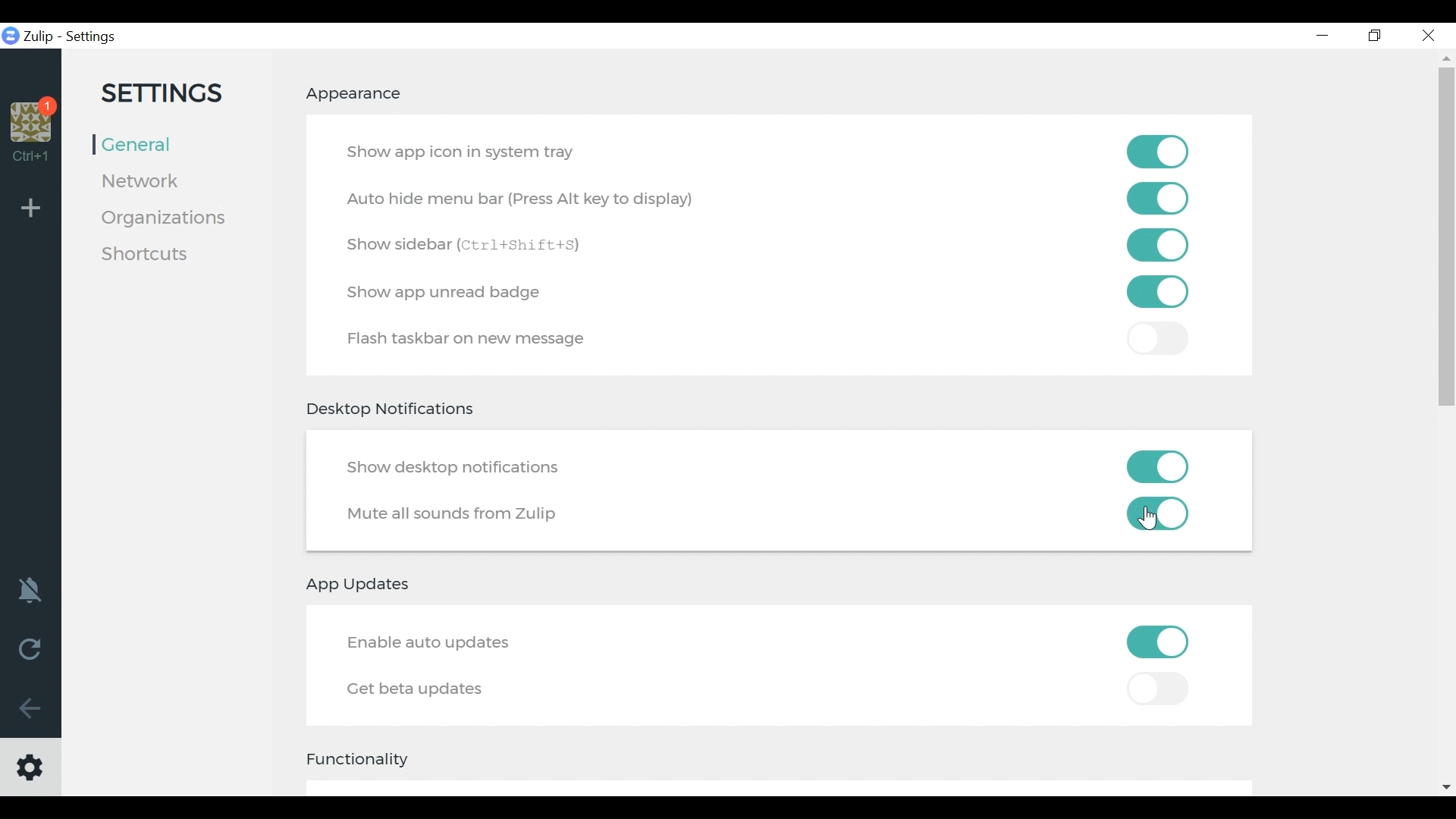 The height and width of the screenshot is (819, 1456). Describe the element at coordinates (147, 180) in the screenshot. I see `Network` at that location.